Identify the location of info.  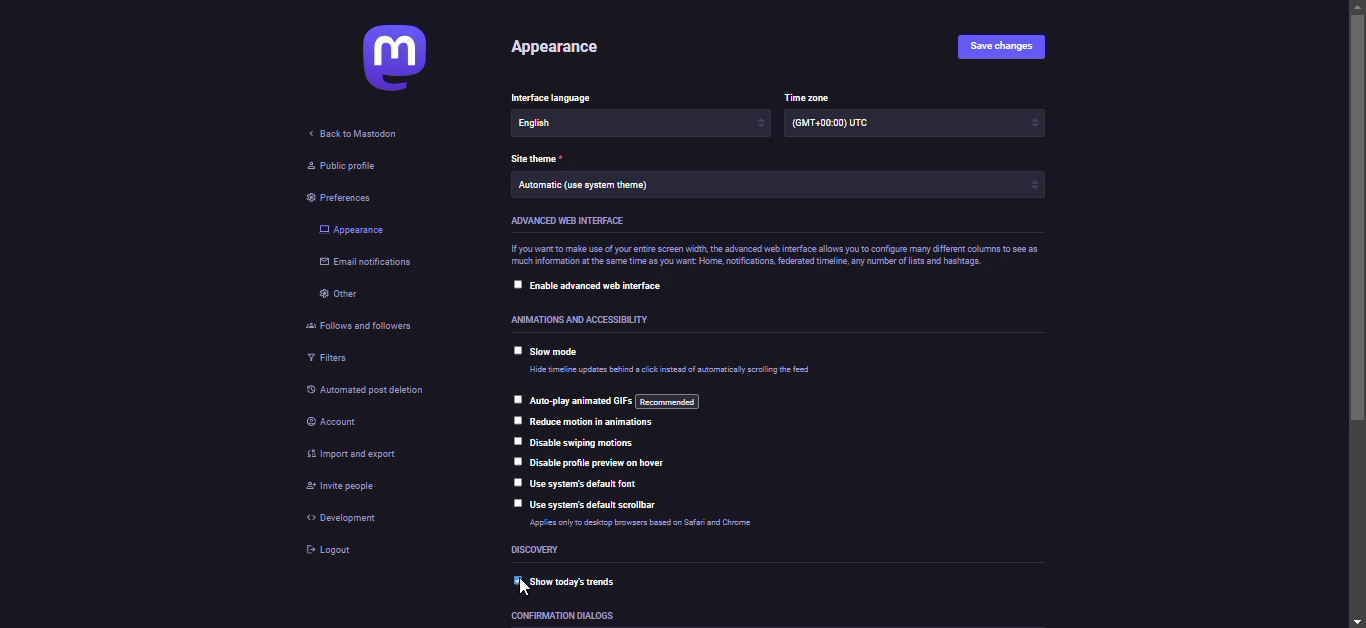
(770, 256).